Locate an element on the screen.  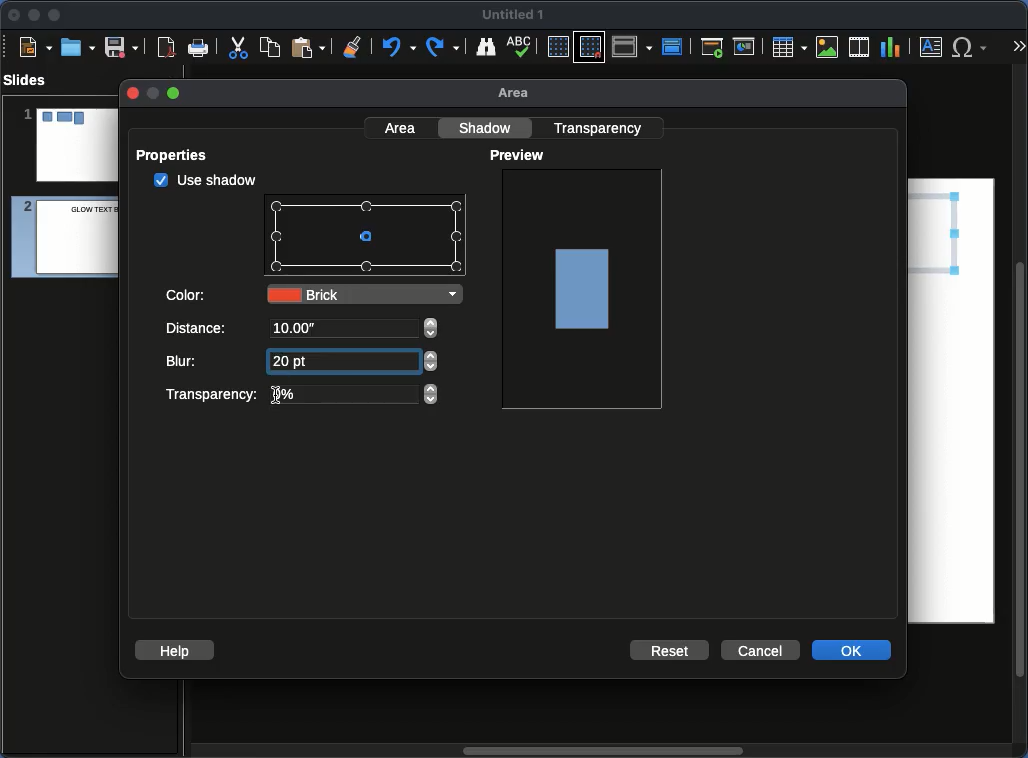
Special characters is located at coordinates (974, 47).